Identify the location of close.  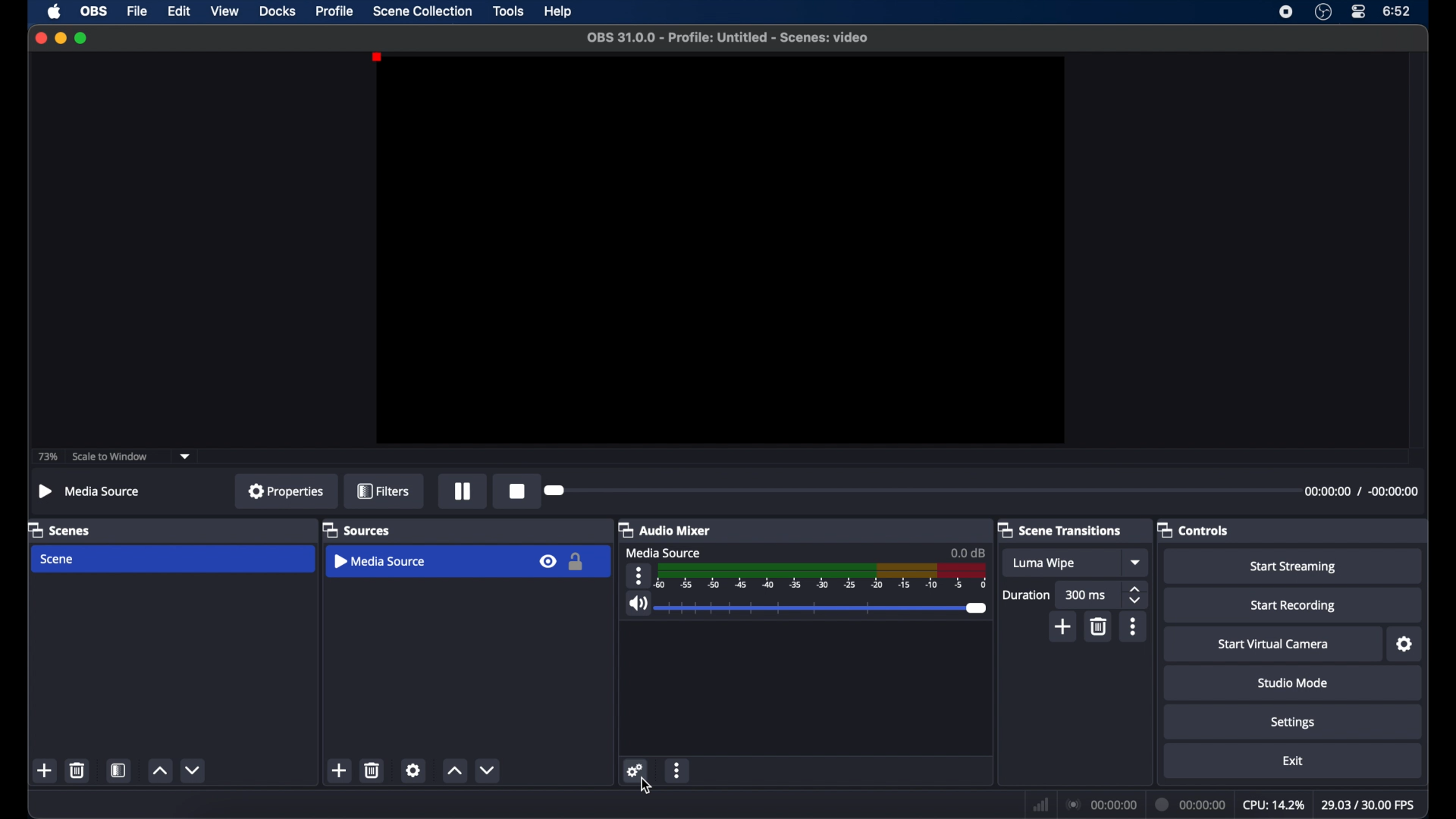
(40, 38).